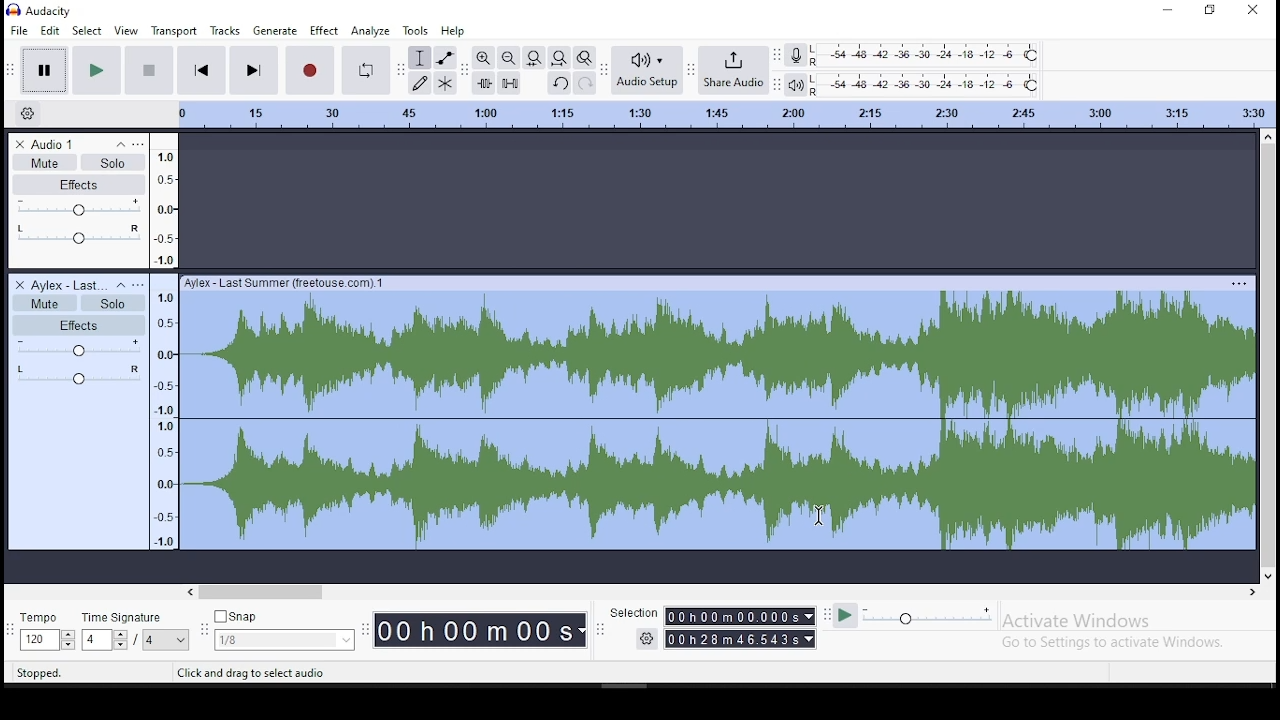 This screenshot has width=1280, height=720. I want to click on audio track name, so click(71, 284).